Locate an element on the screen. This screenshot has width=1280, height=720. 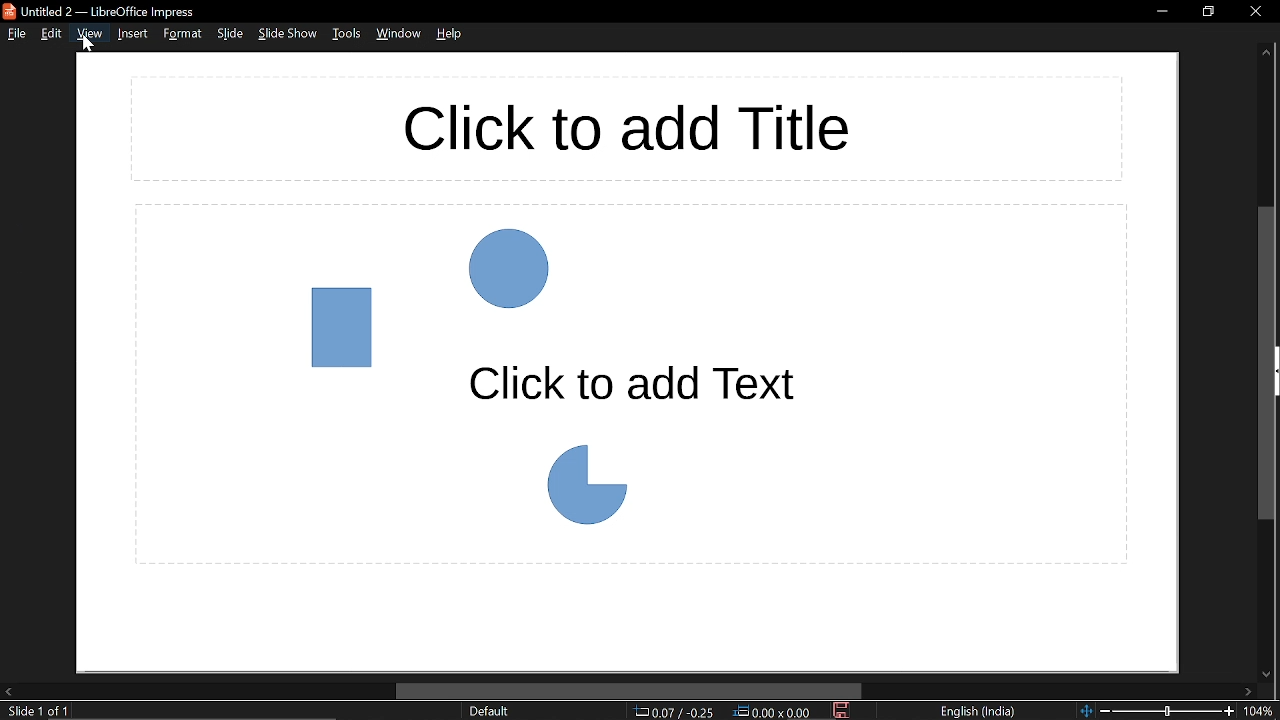
Format is located at coordinates (182, 37).